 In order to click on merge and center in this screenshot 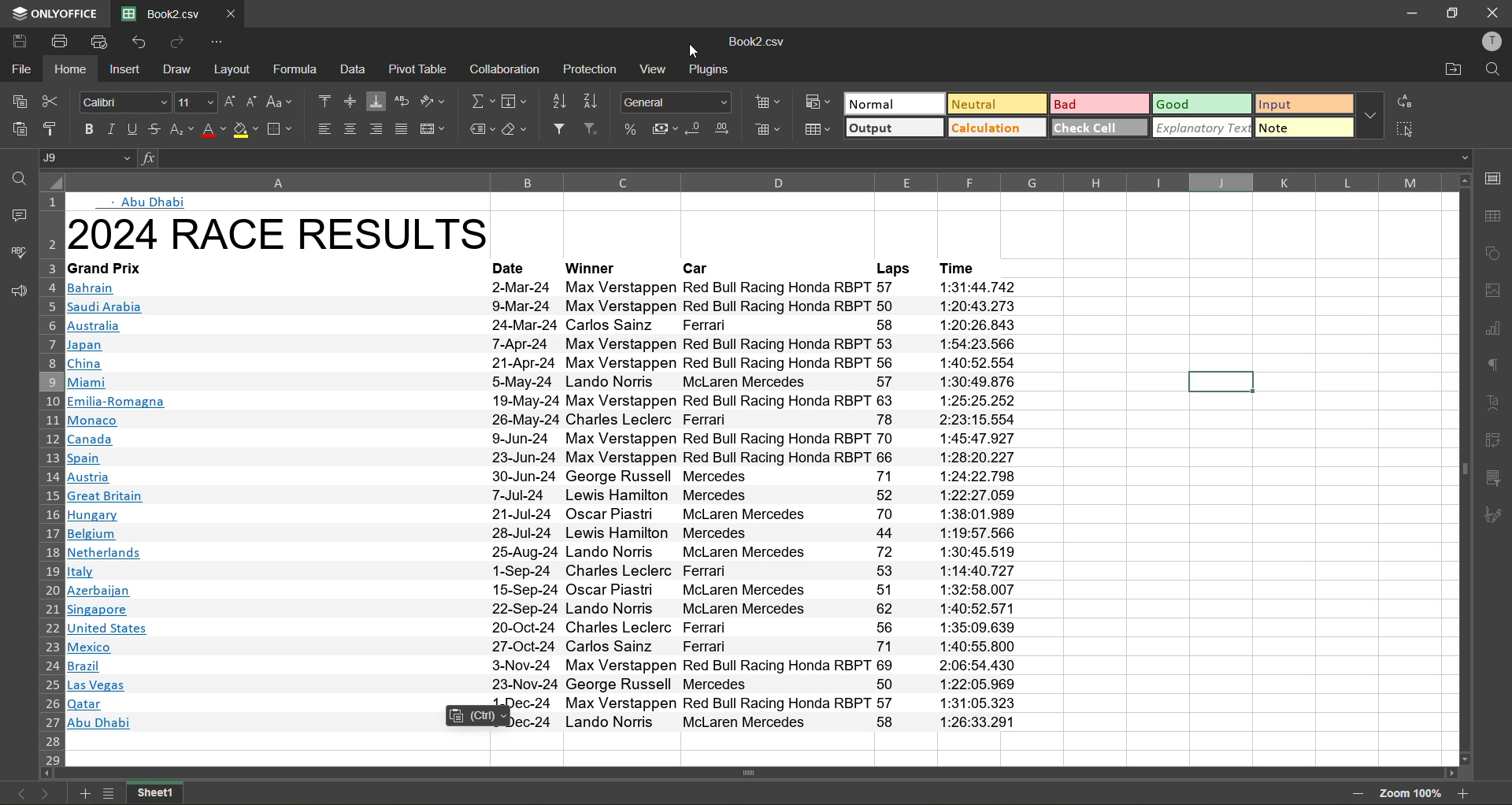, I will do `click(433, 129)`.